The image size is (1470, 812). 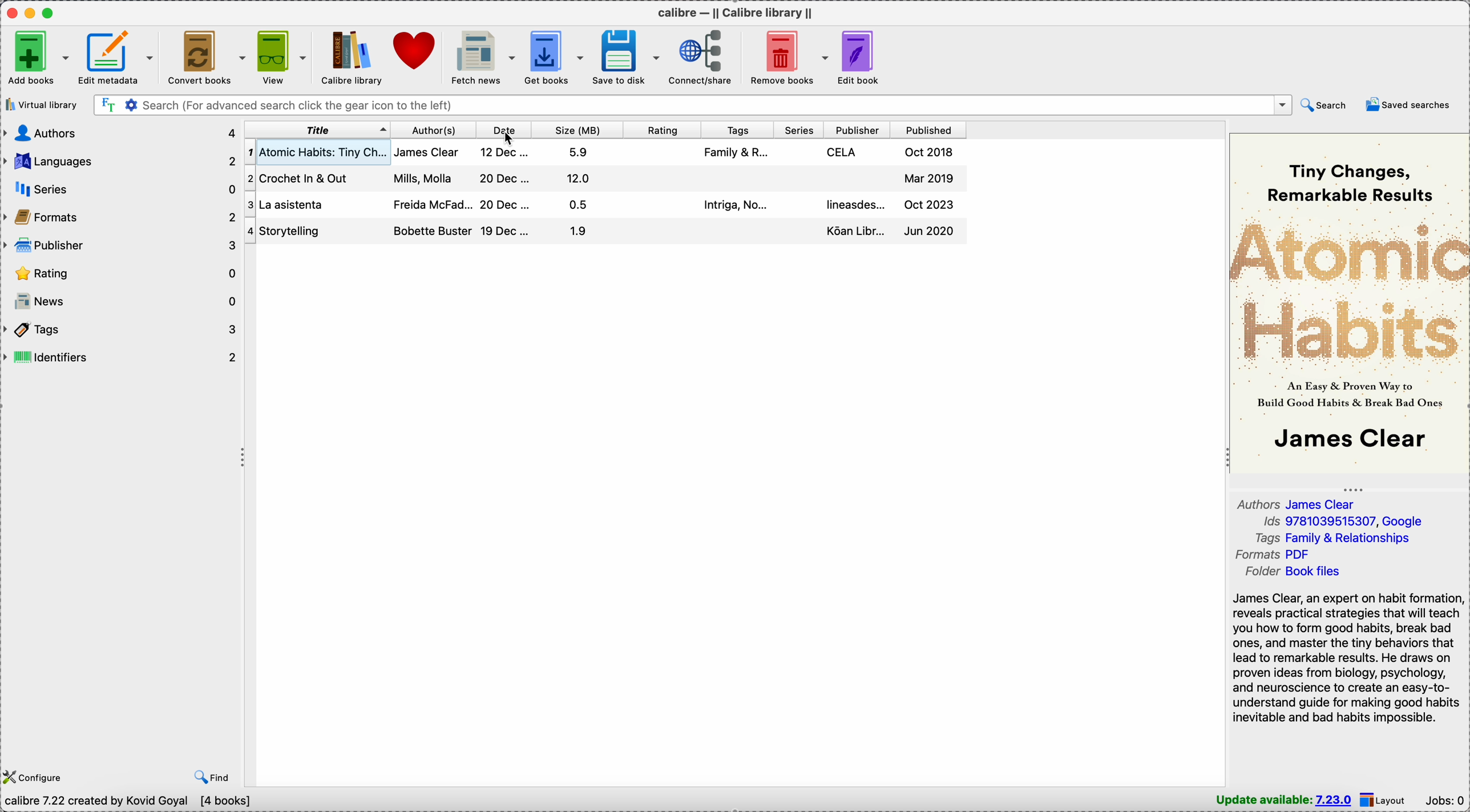 What do you see at coordinates (1295, 571) in the screenshot?
I see `folder Book files` at bounding box center [1295, 571].